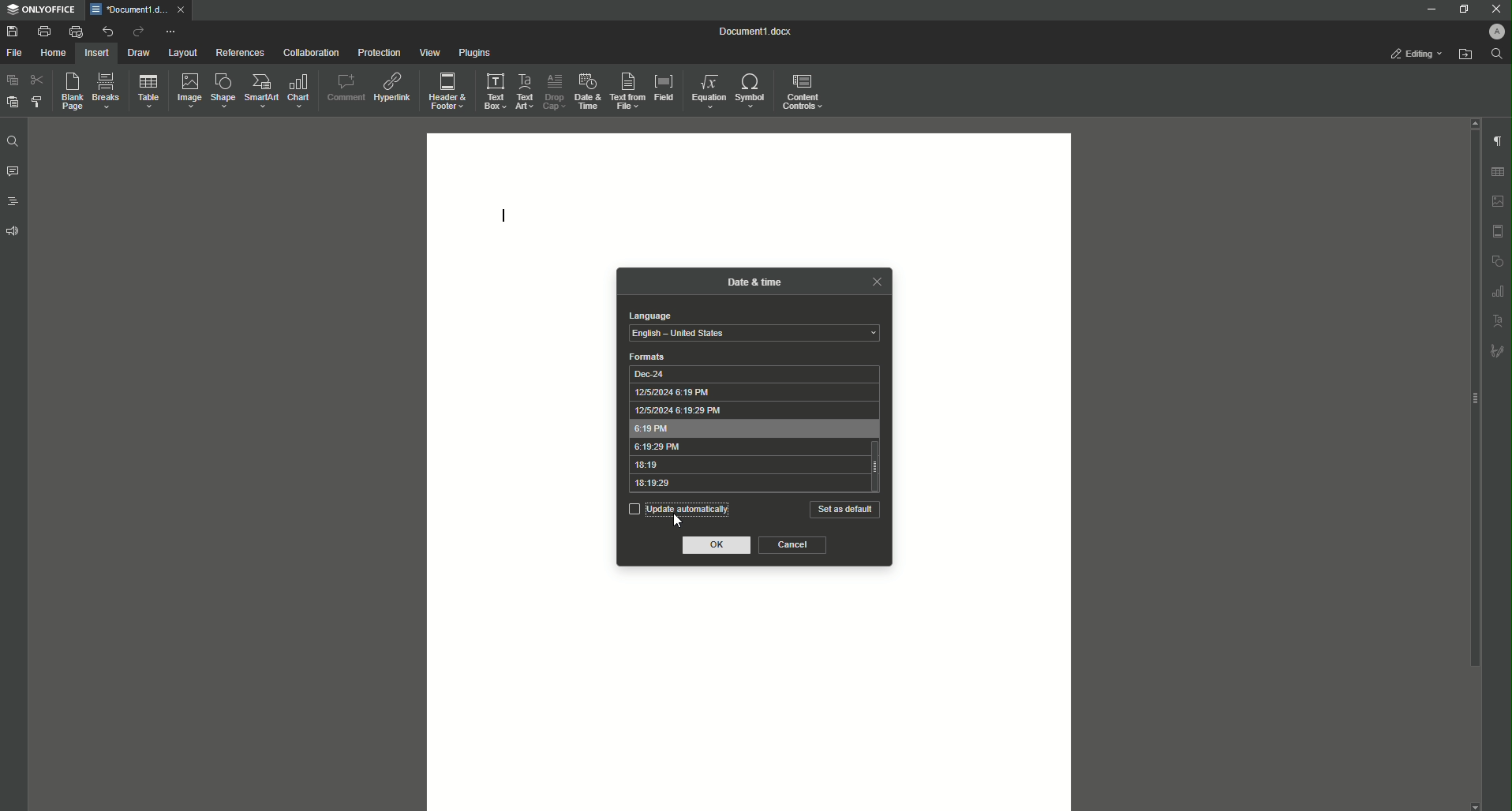 This screenshot has width=1512, height=811. What do you see at coordinates (1498, 231) in the screenshot?
I see `header and footer settings` at bounding box center [1498, 231].